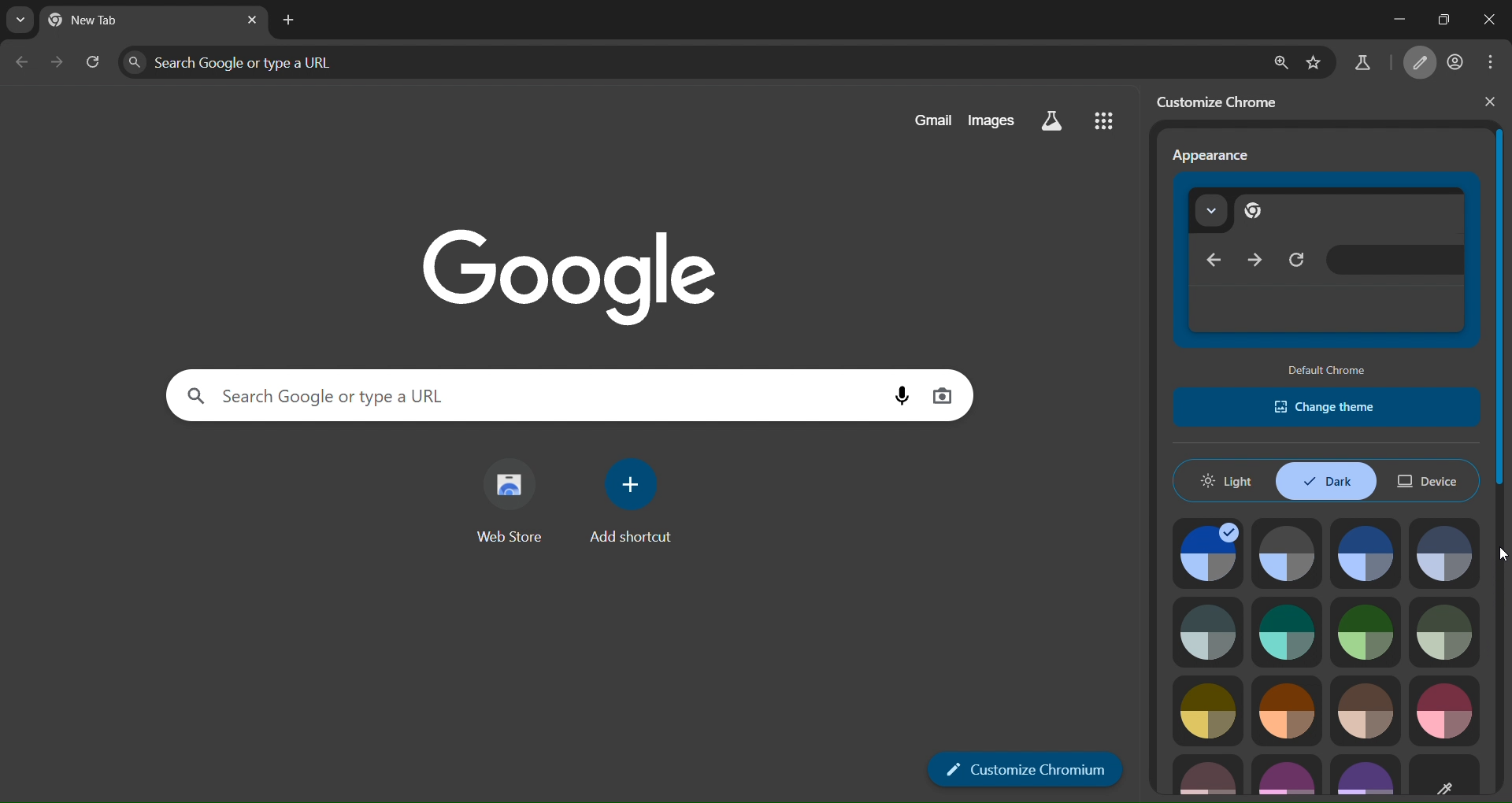  I want to click on voice search, so click(899, 396).